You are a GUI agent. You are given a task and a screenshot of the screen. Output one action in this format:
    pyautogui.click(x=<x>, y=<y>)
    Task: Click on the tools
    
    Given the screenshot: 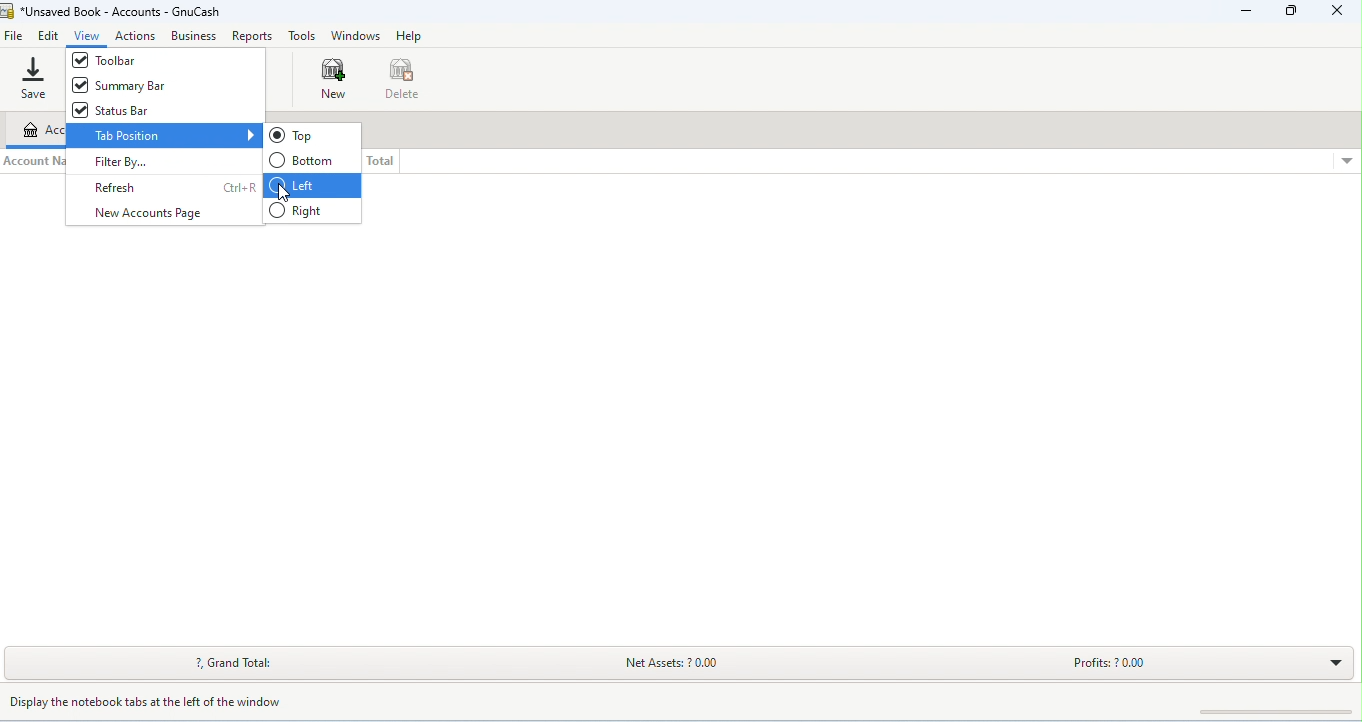 What is the action you would take?
    pyautogui.click(x=303, y=36)
    